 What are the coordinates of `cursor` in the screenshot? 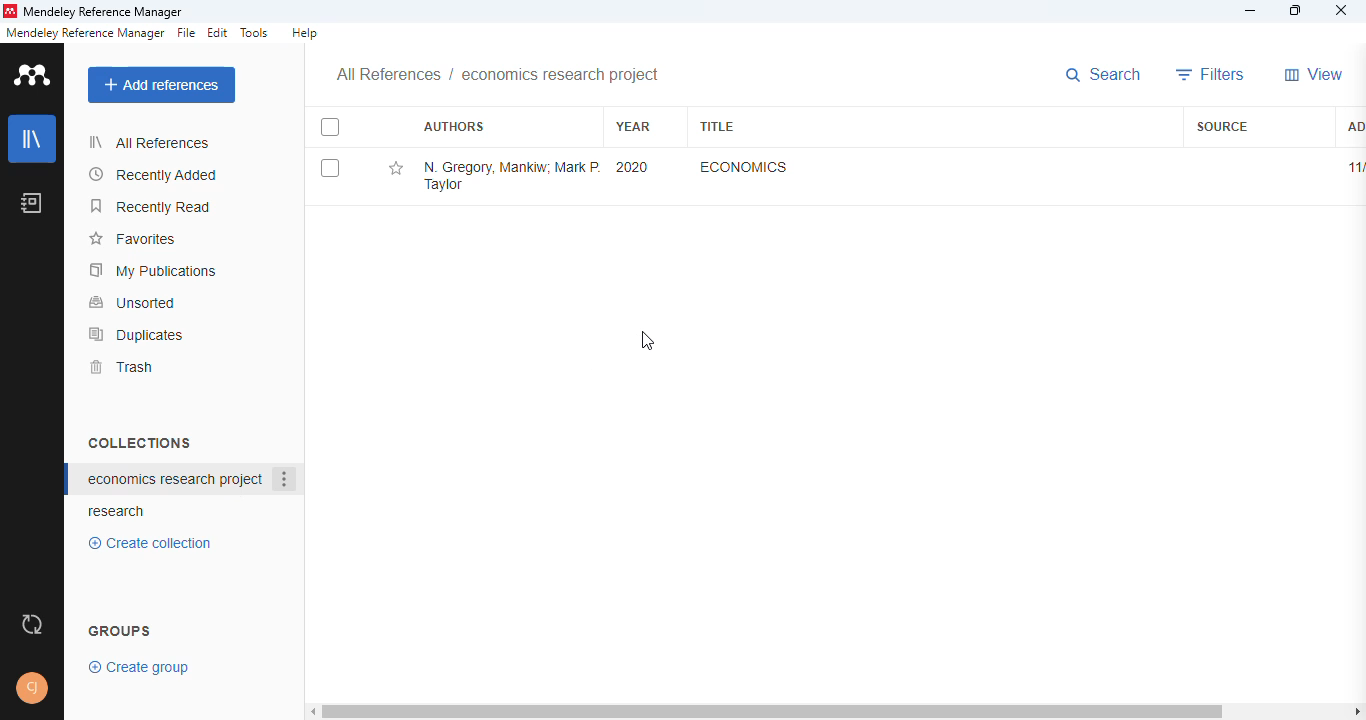 It's located at (647, 341).